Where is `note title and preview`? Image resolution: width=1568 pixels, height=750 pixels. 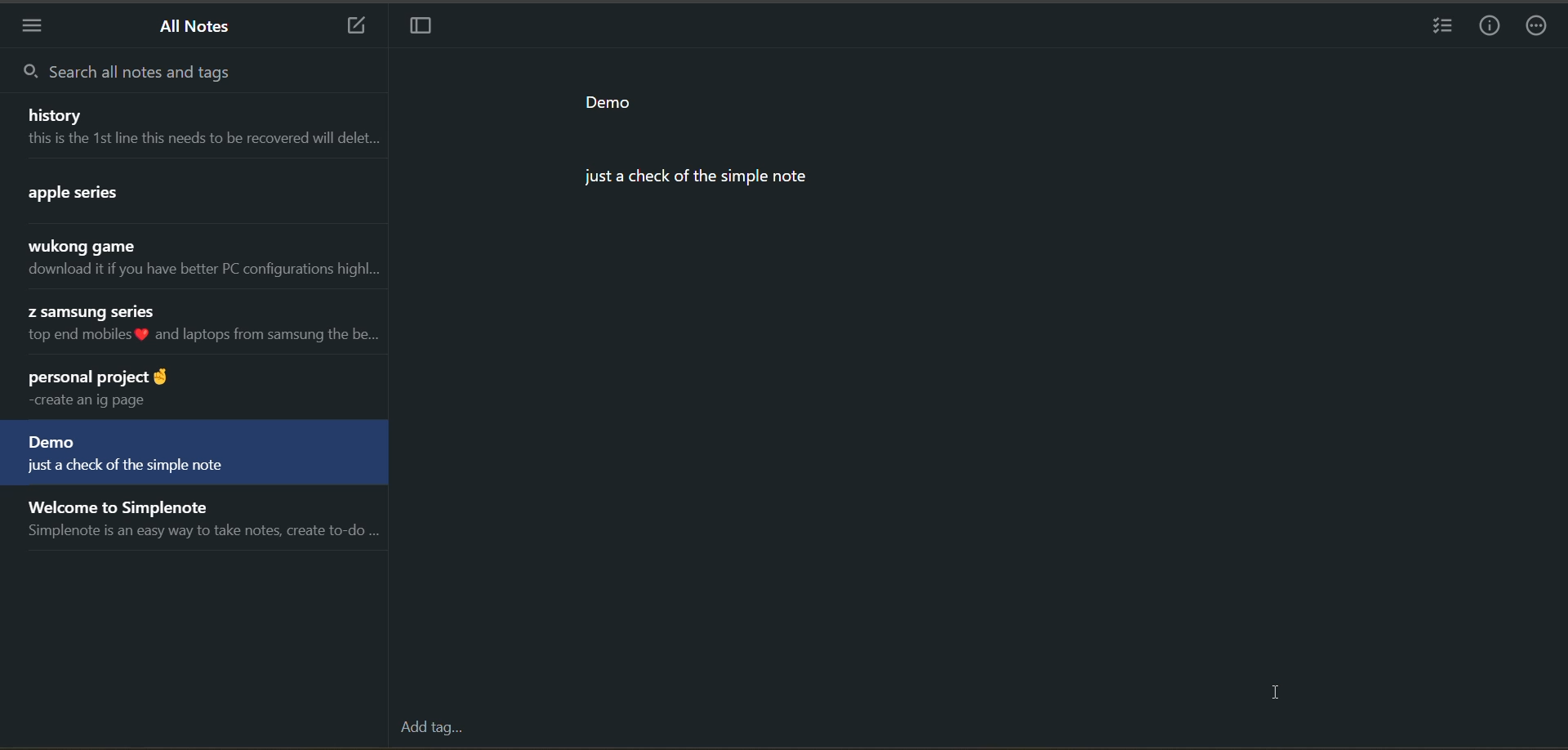 note title and preview is located at coordinates (201, 523).